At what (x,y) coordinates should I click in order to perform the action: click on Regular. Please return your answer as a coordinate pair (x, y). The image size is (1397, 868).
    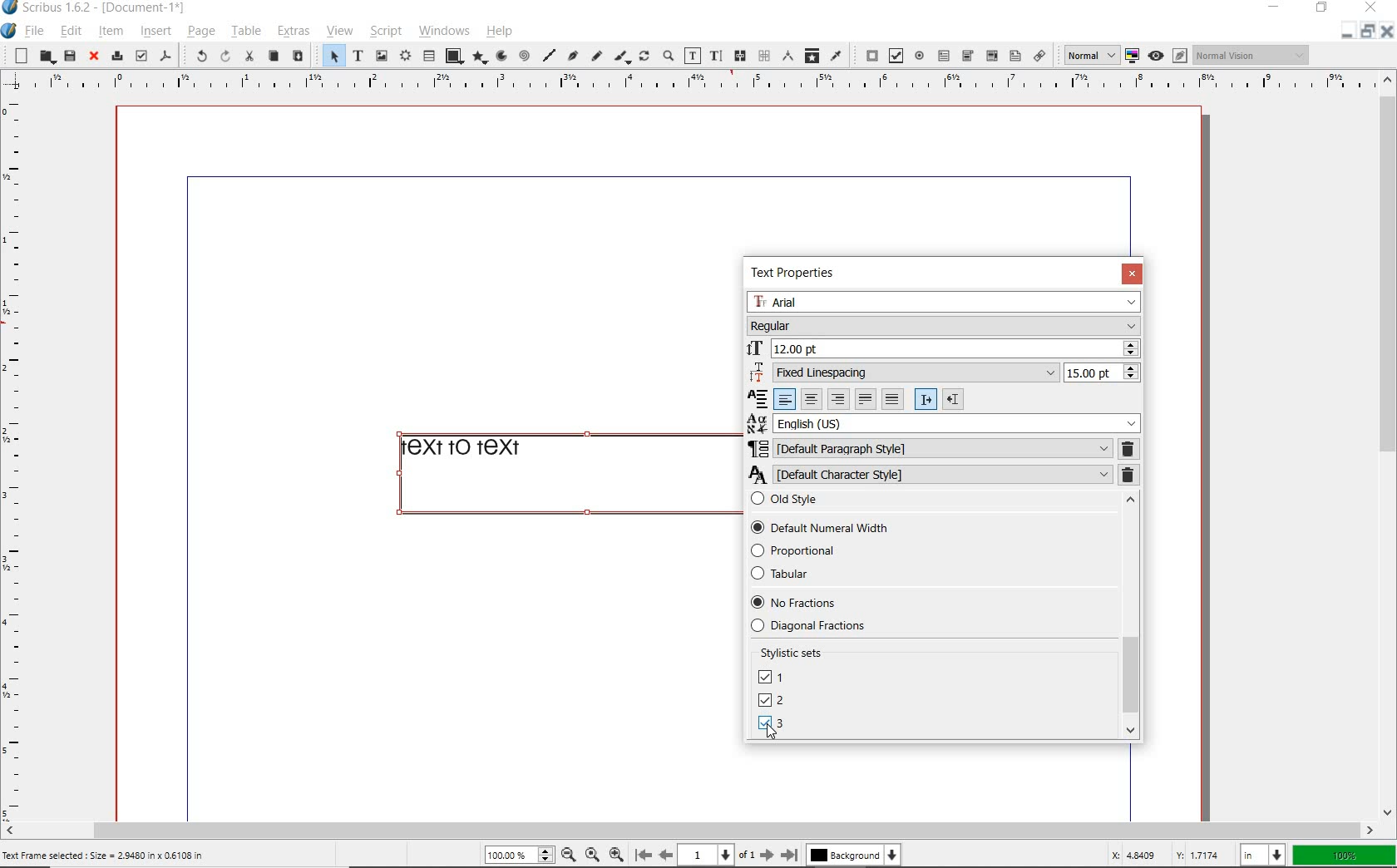
    Looking at the image, I should click on (942, 326).